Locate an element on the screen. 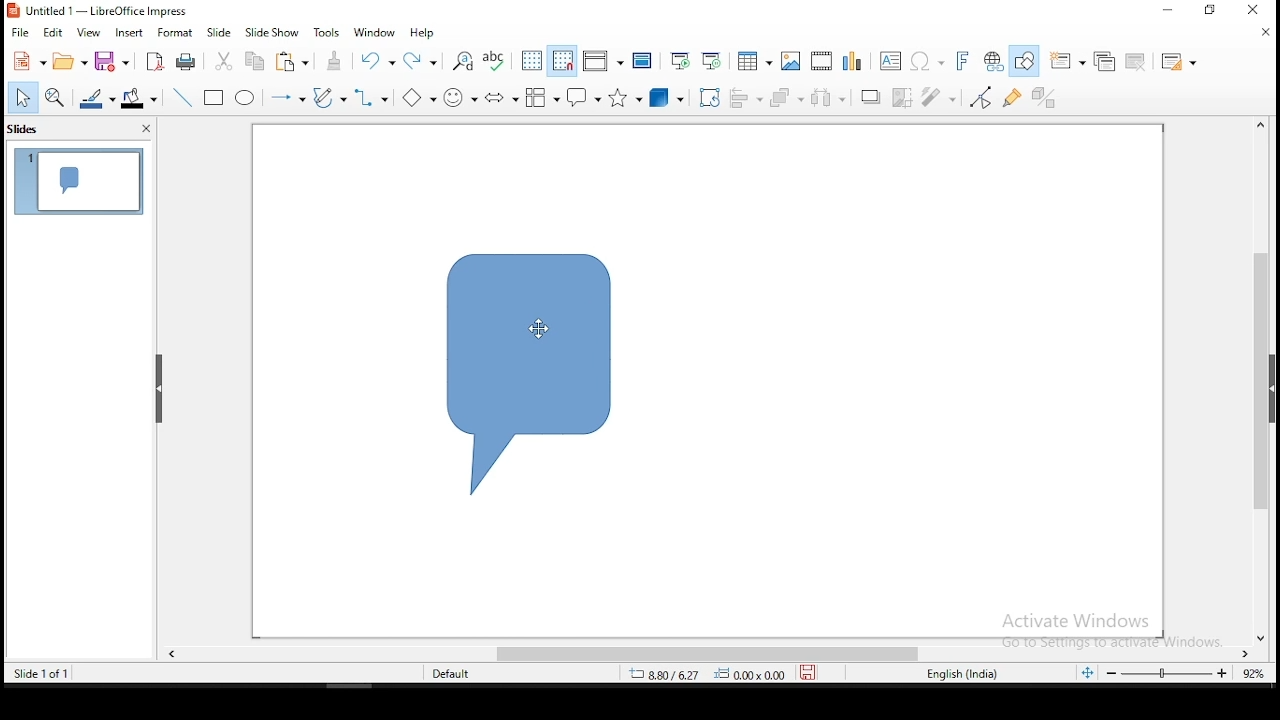 This screenshot has height=720, width=1280. table is located at coordinates (752, 59).